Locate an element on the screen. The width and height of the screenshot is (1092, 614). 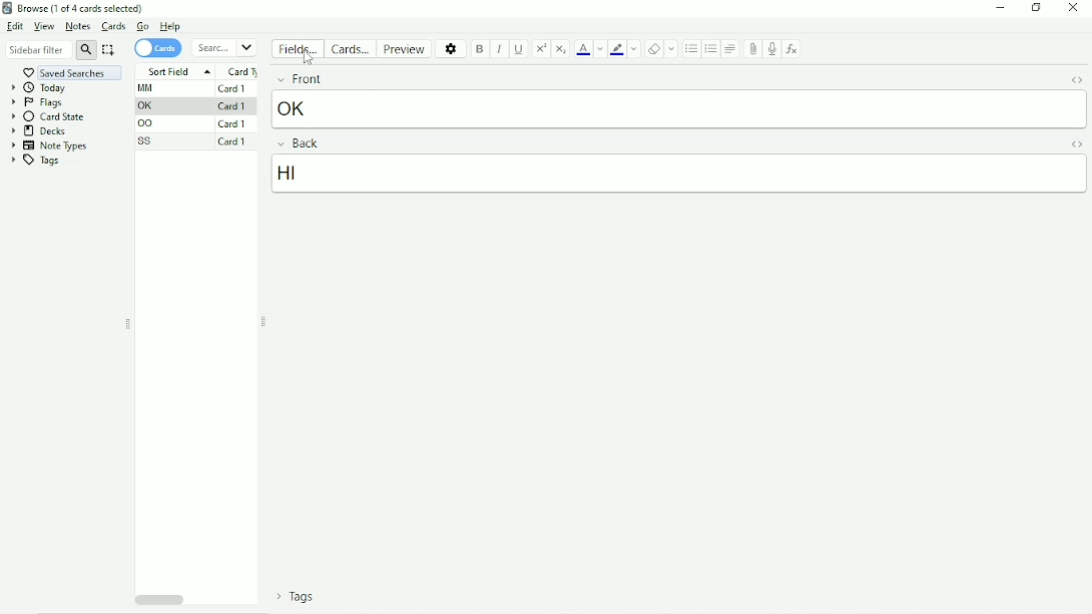
View is located at coordinates (43, 26).